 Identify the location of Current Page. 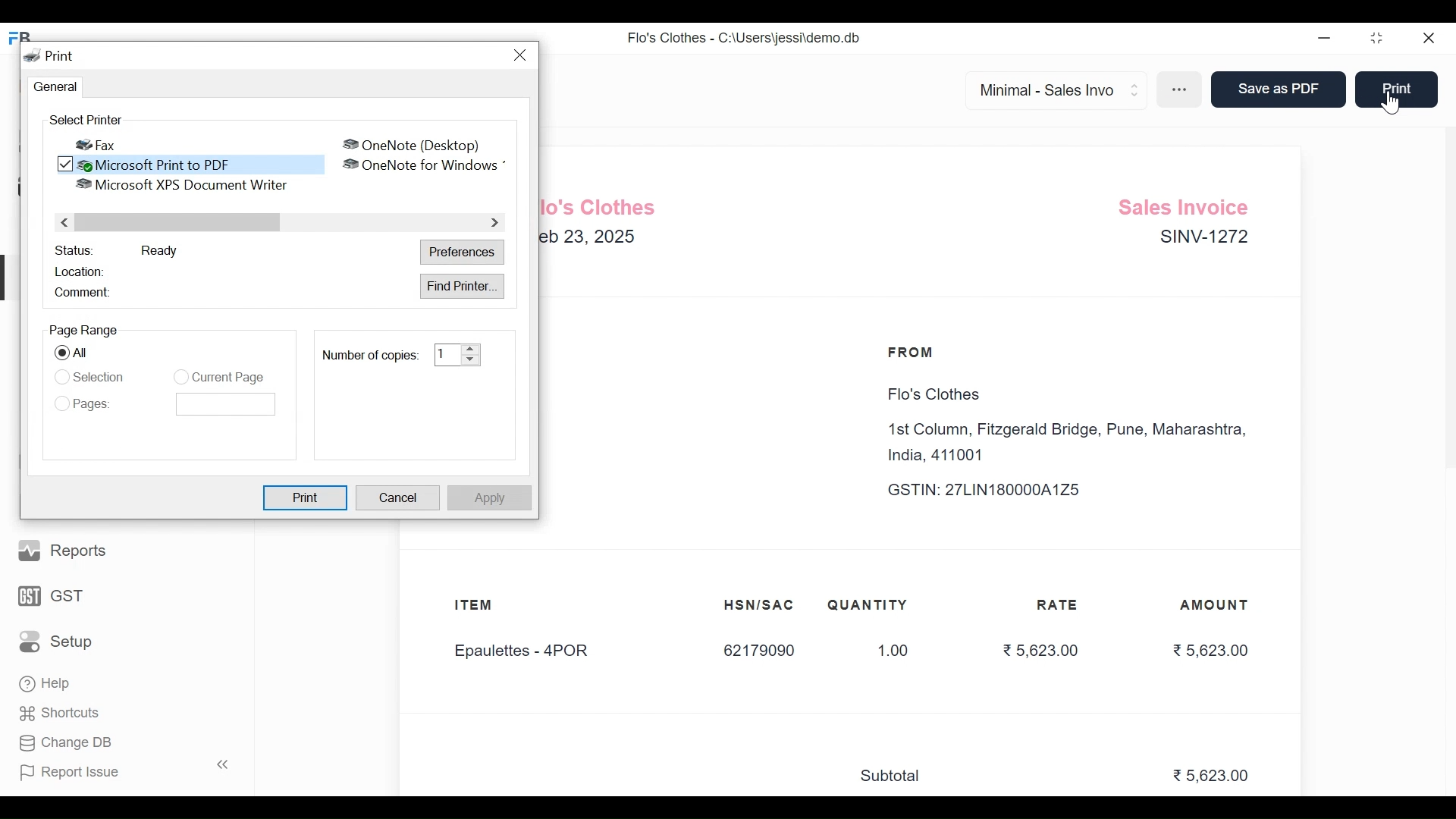
(228, 378).